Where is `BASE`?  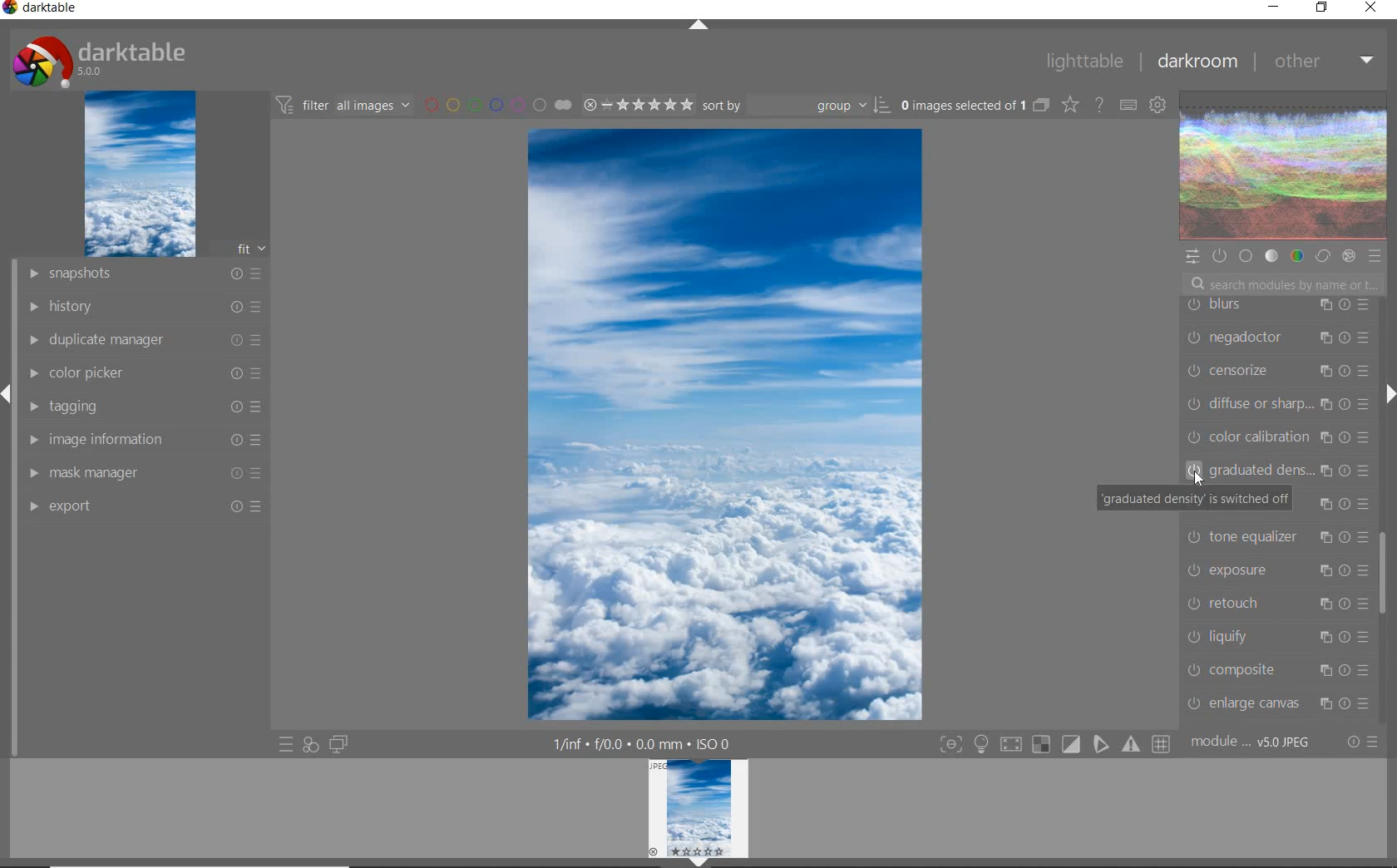 BASE is located at coordinates (1247, 256).